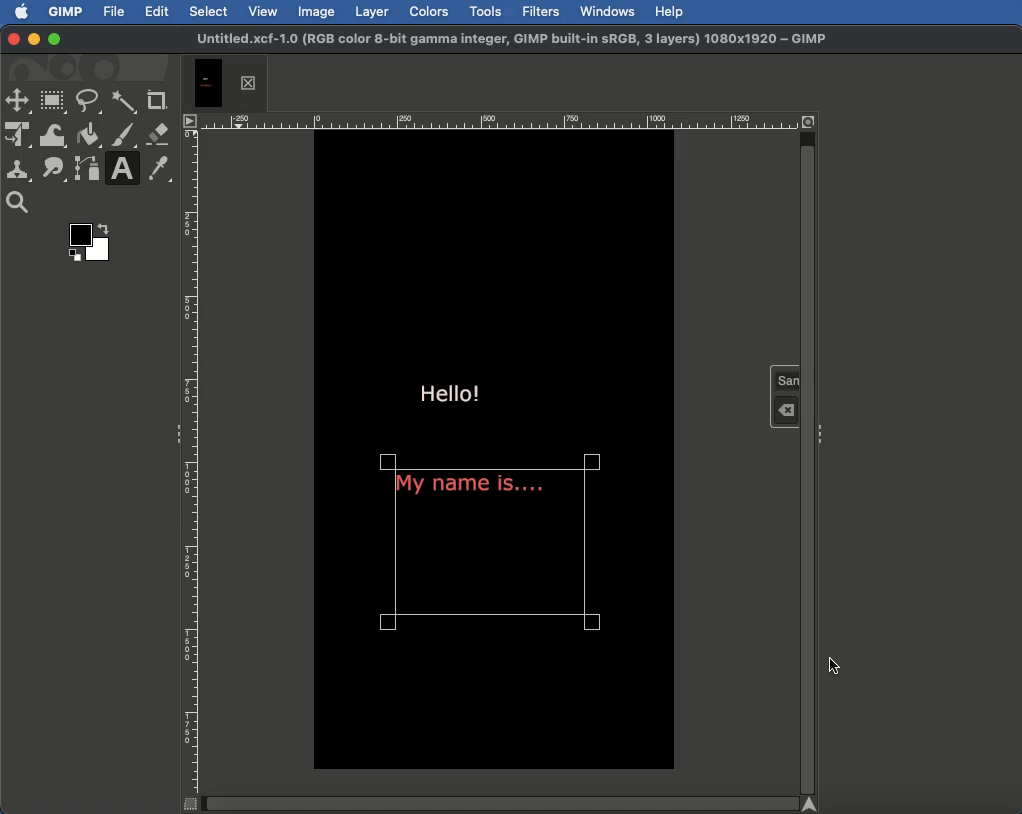 This screenshot has width=1022, height=814. I want to click on Tools, so click(484, 10).